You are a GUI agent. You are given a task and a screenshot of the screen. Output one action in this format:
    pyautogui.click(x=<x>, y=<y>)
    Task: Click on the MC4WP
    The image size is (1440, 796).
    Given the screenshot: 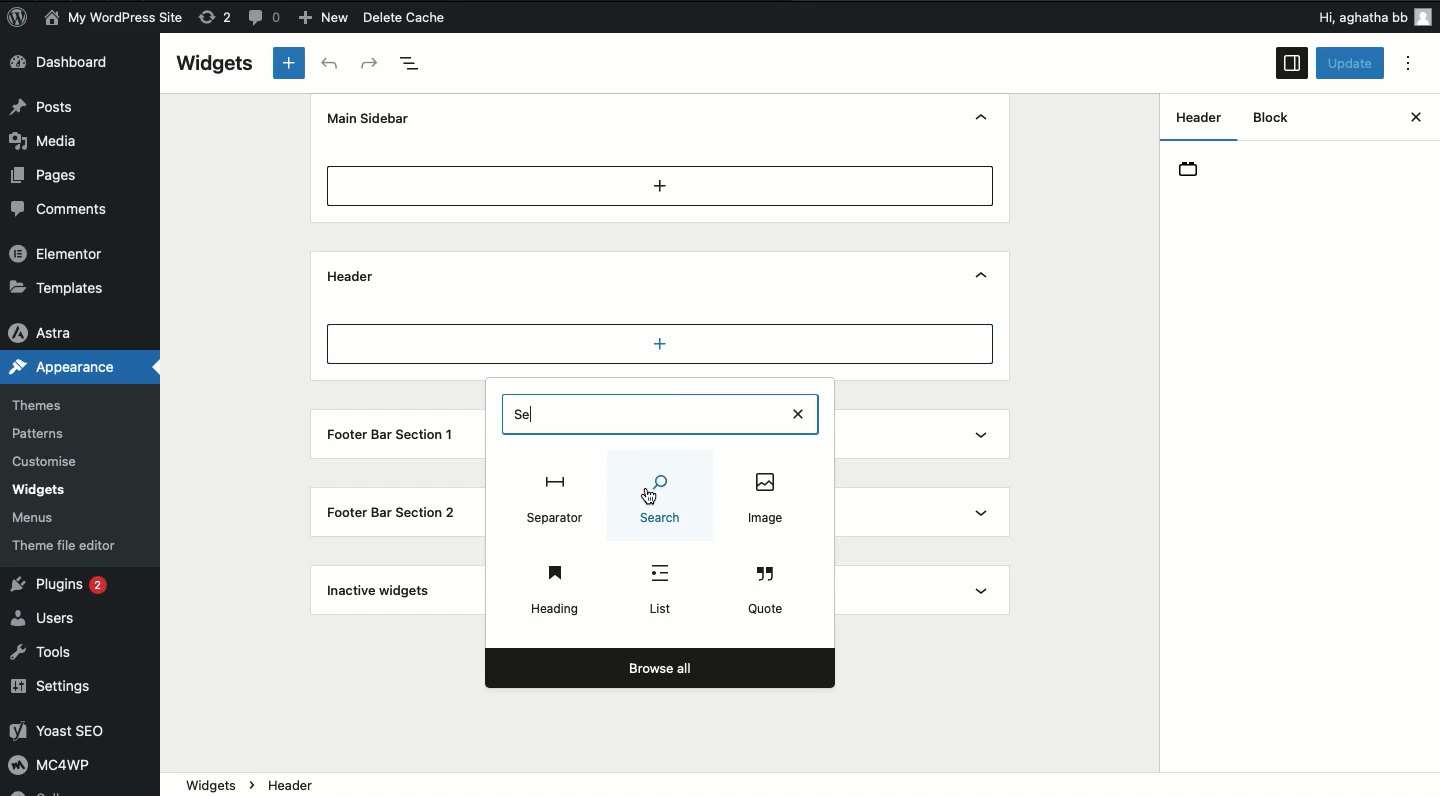 What is the action you would take?
    pyautogui.click(x=59, y=768)
    